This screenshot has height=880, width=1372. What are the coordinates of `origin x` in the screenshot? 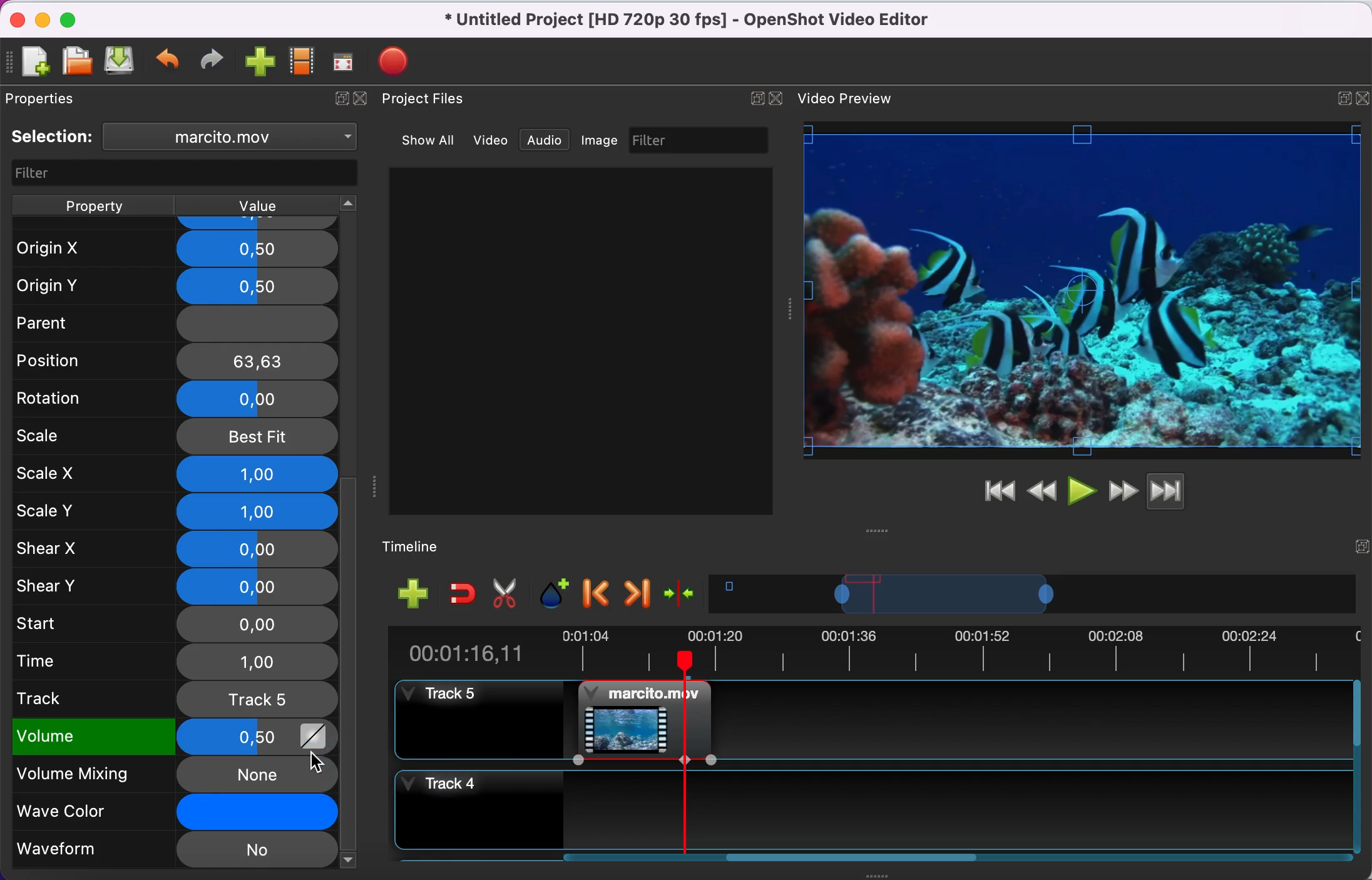 It's located at (171, 244).